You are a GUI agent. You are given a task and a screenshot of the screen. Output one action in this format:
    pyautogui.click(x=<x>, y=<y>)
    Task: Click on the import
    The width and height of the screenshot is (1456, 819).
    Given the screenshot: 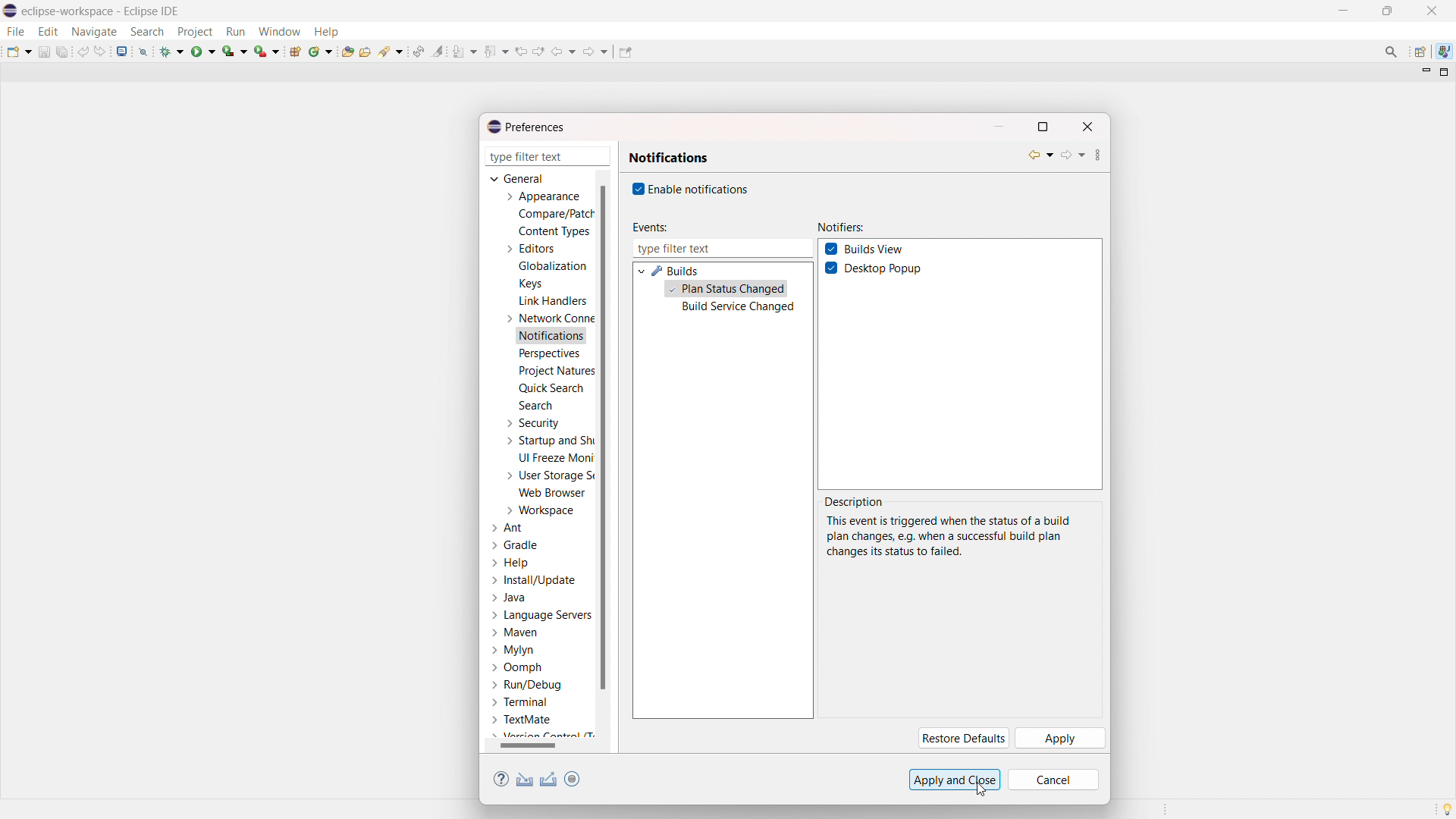 What is the action you would take?
    pyautogui.click(x=525, y=780)
    